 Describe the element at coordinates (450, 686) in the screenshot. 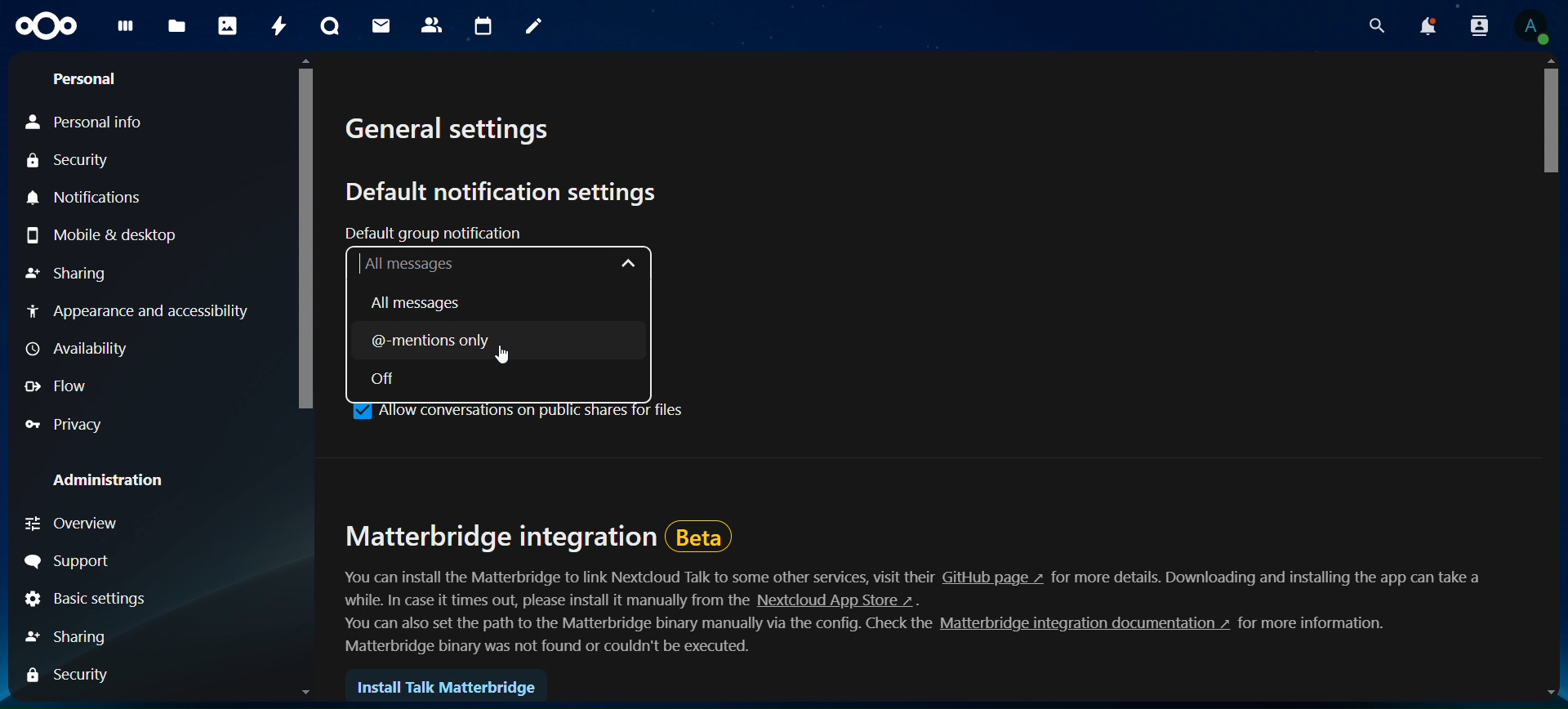

I see `install talk matterbridge` at that location.